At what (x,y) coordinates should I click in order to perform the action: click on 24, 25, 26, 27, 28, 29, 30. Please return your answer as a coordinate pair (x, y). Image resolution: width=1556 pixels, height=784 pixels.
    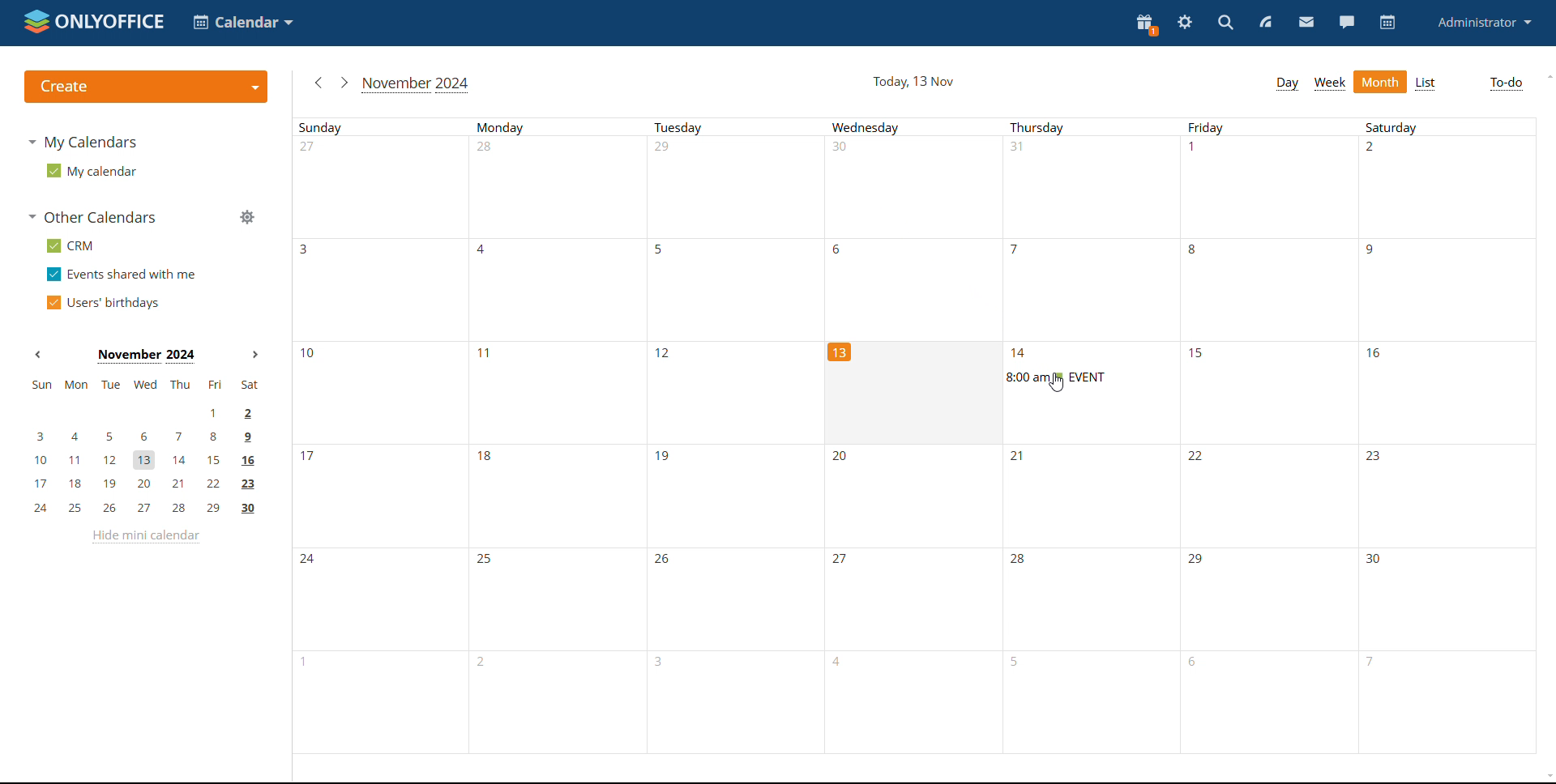
    Looking at the image, I should click on (145, 509).